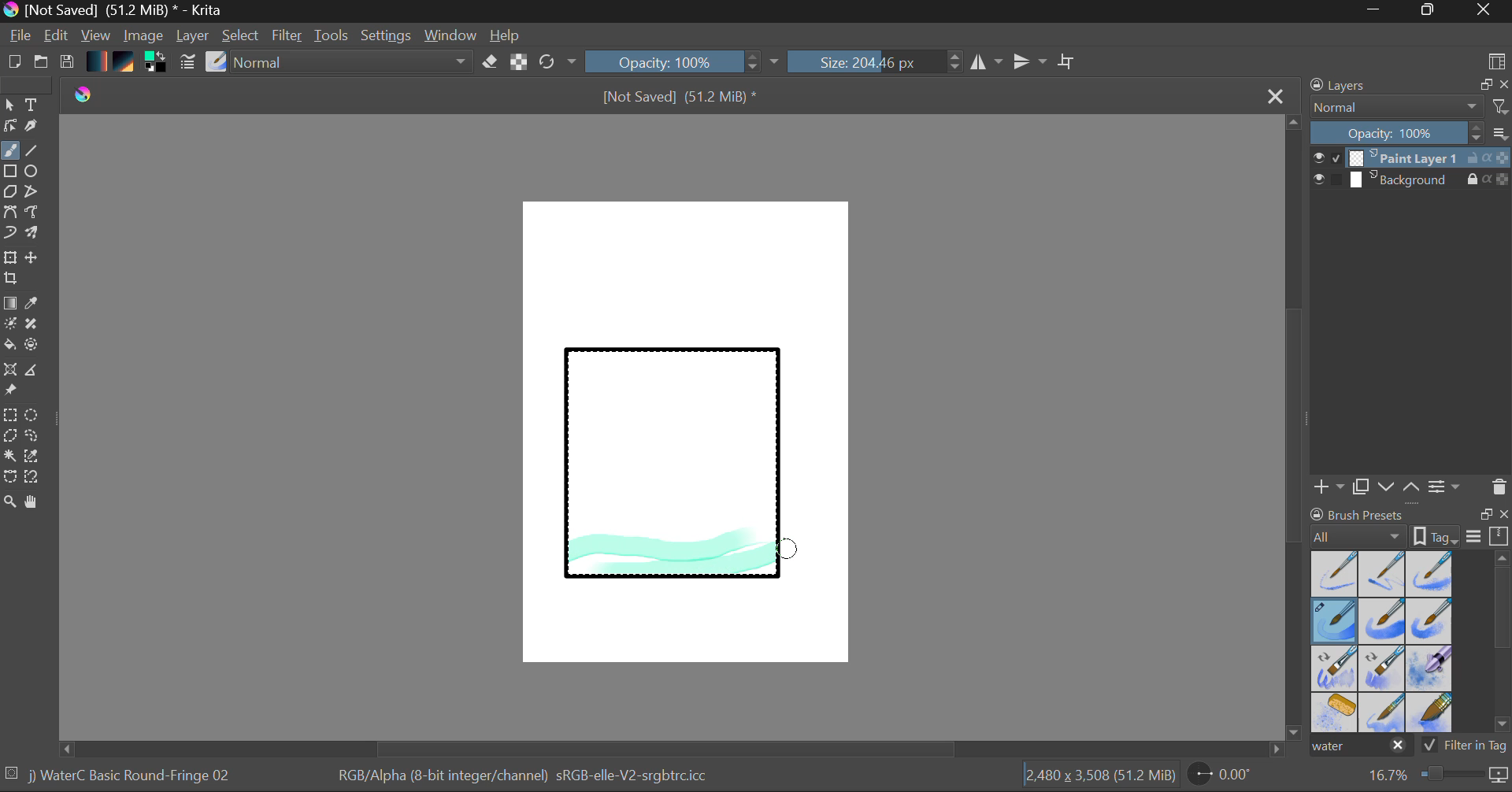 The image size is (1512, 792). I want to click on Colorize Mask Tool, so click(11, 325).